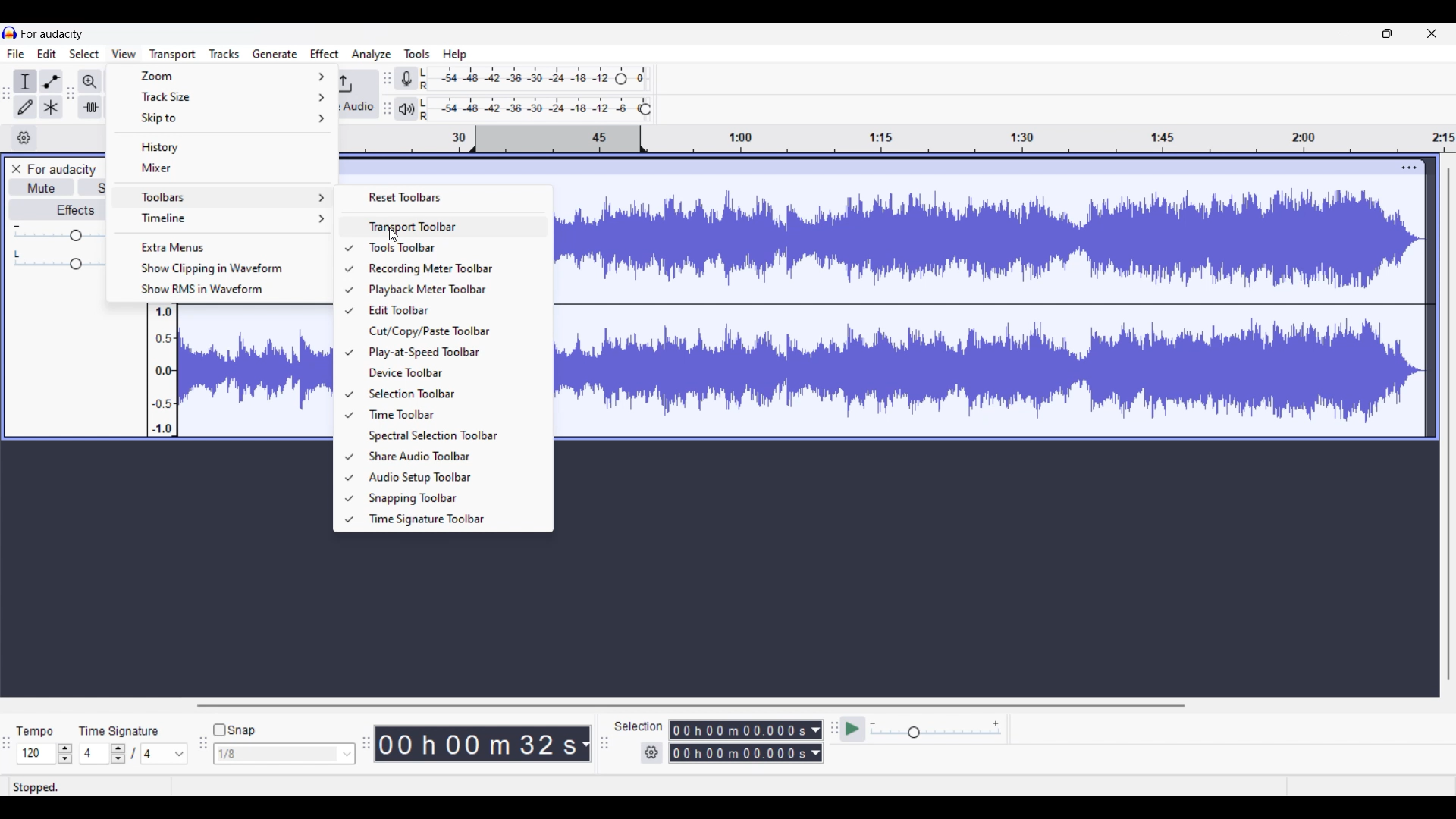 The width and height of the screenshot is (1456, 819). I want to click on Indicates toolbar has been selected, so click(348, 384).